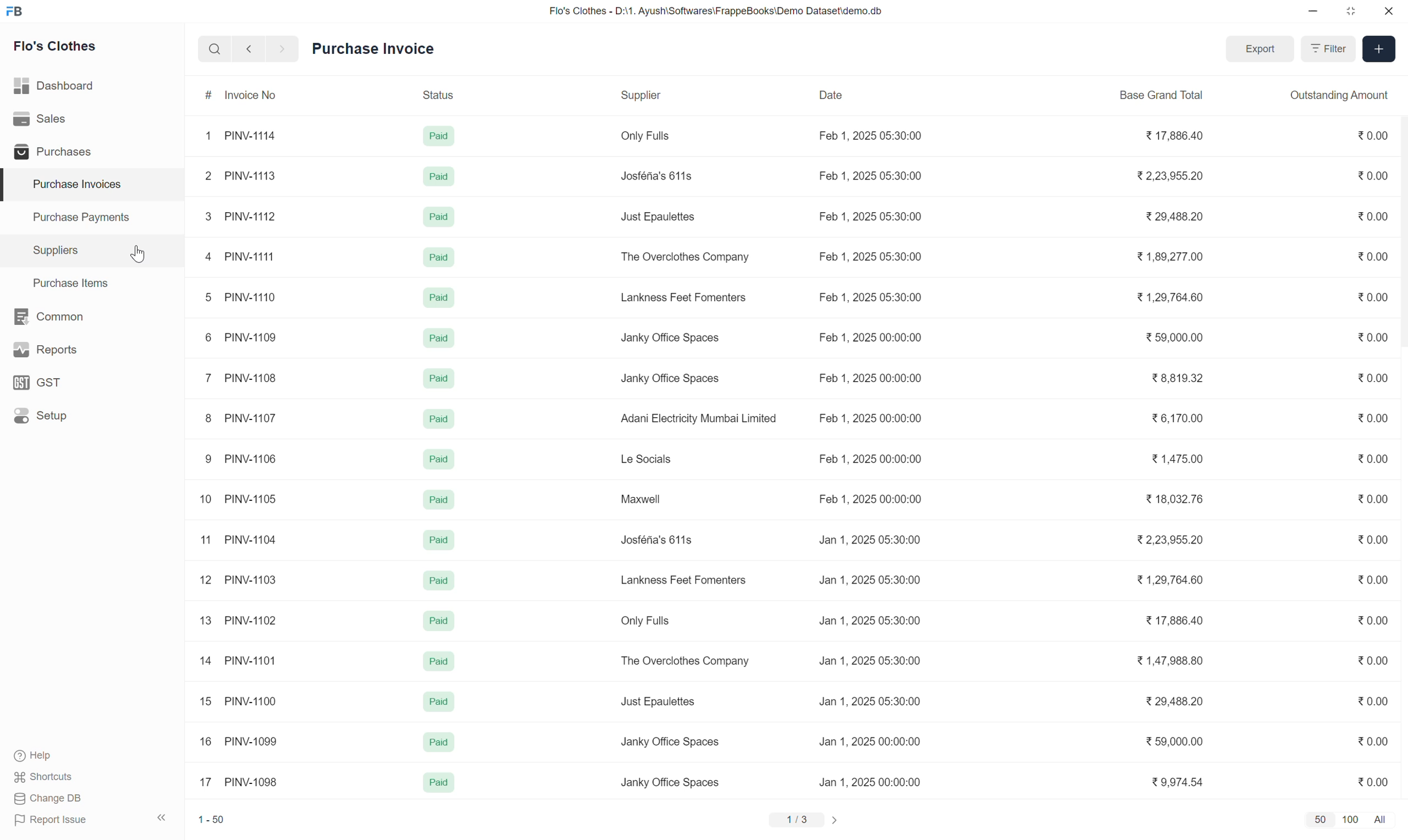  What do you see at coordinates (1389, 11) in the screenshot?
I see `close` at bounding box center [1389, 11].